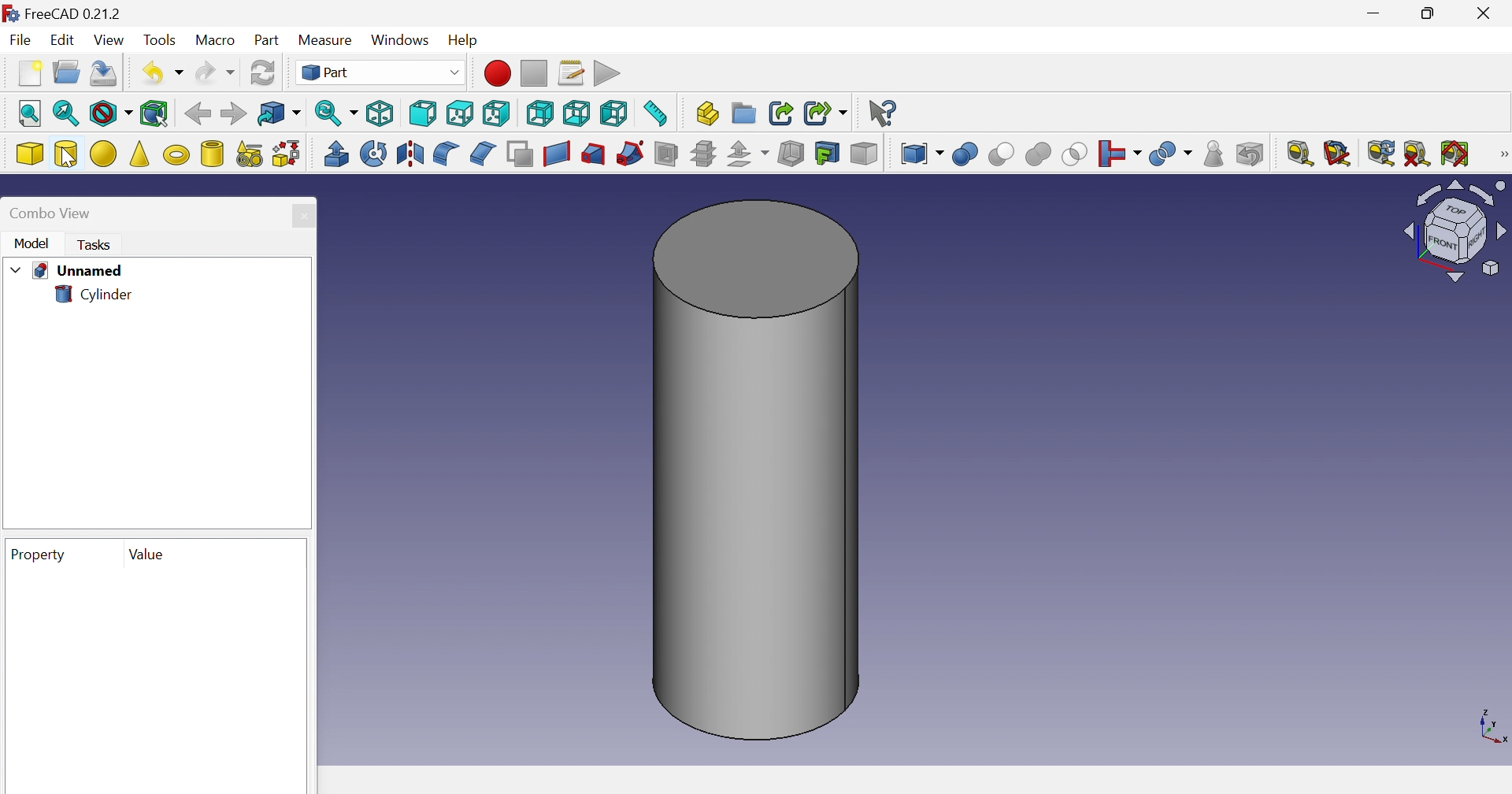 The width and height of the screenshot is (1512, 794). Describe the element at coordinates (484, 154) in the screenshot. I see `Chamfer` at that location.